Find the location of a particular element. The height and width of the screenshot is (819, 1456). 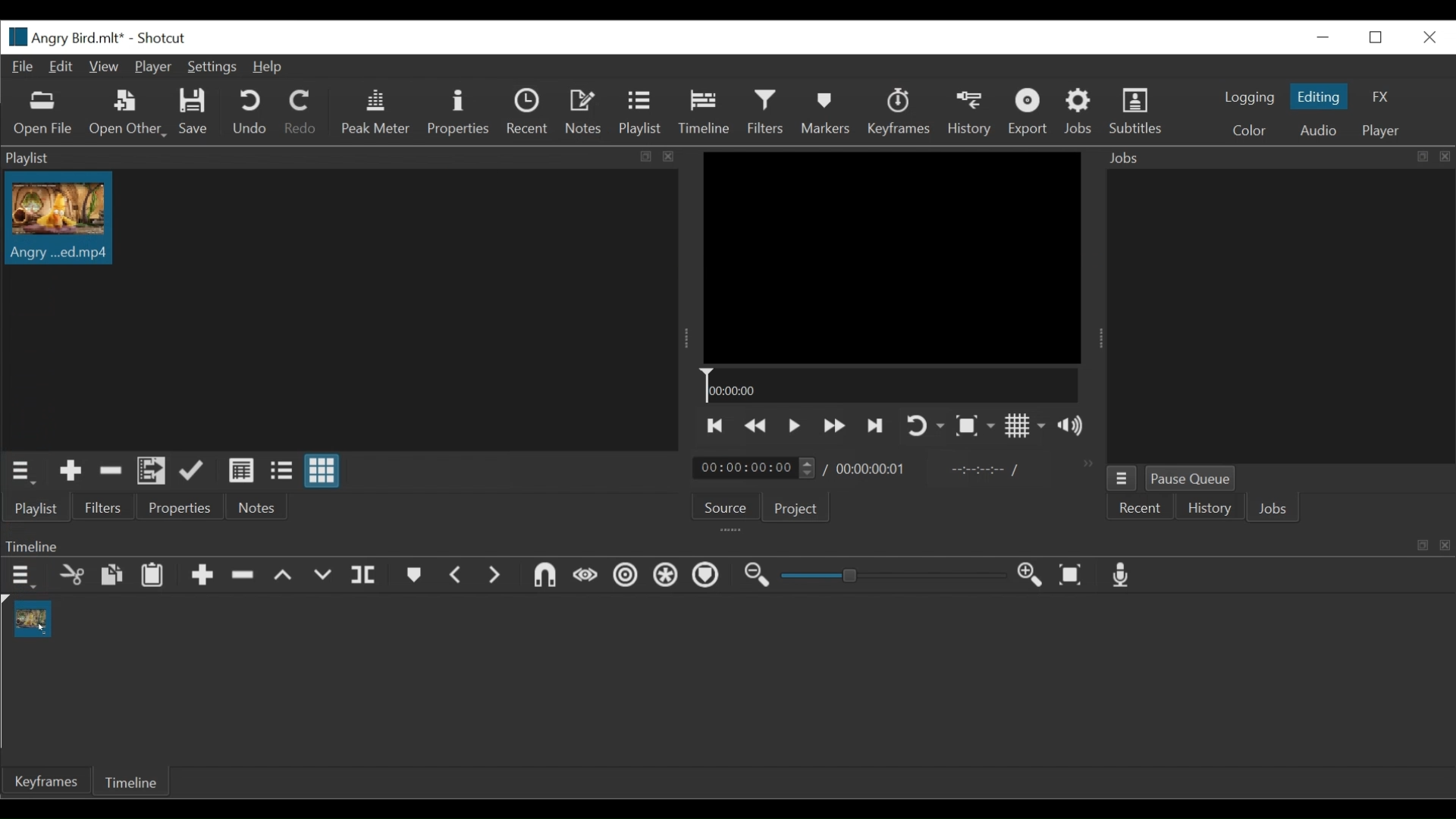

Set First Simple keyframe is located at coordinates (582, 576).